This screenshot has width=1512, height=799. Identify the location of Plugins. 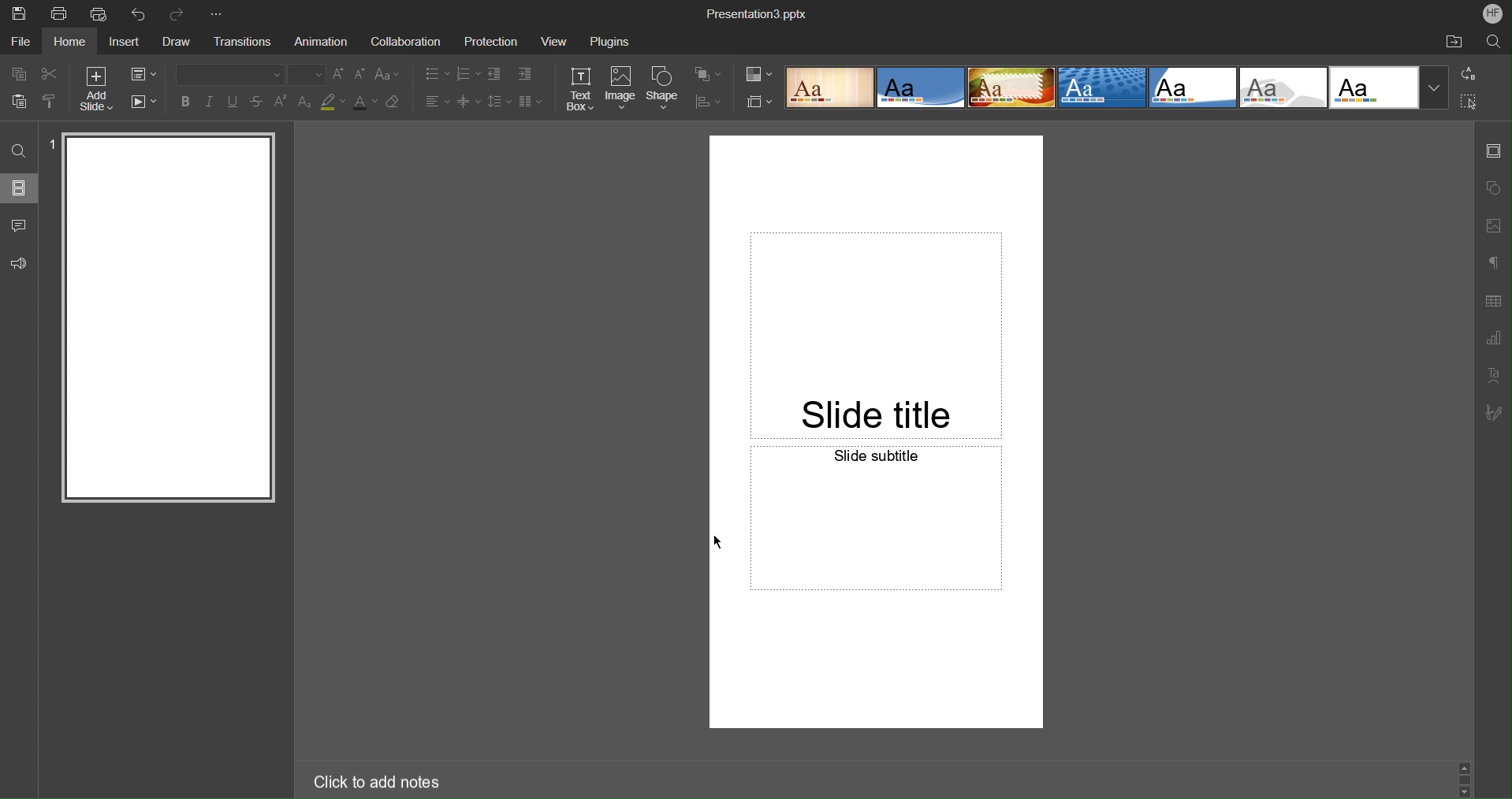
(609, 43).